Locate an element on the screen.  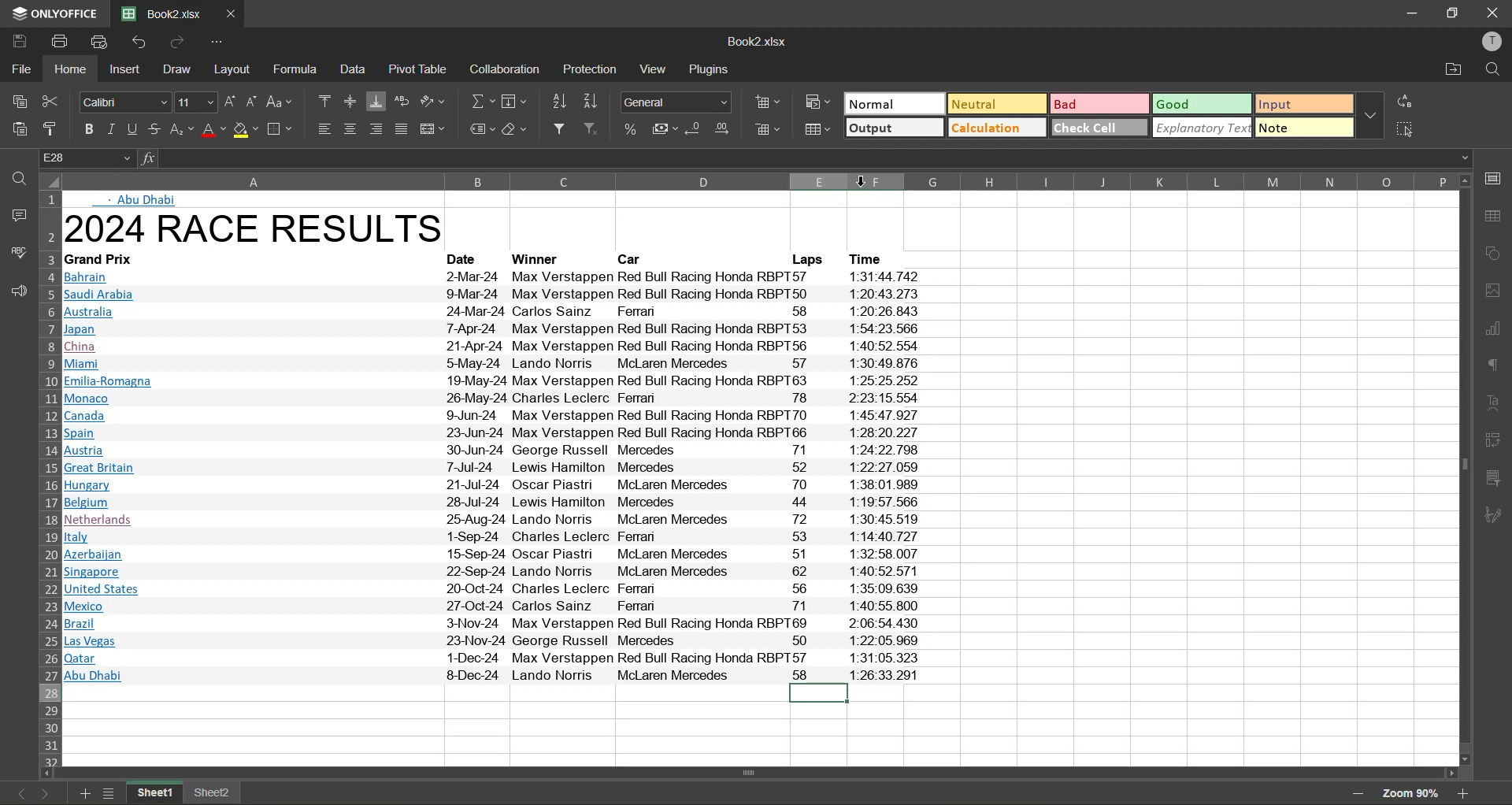
fill color is located at coordinates (245, 129).